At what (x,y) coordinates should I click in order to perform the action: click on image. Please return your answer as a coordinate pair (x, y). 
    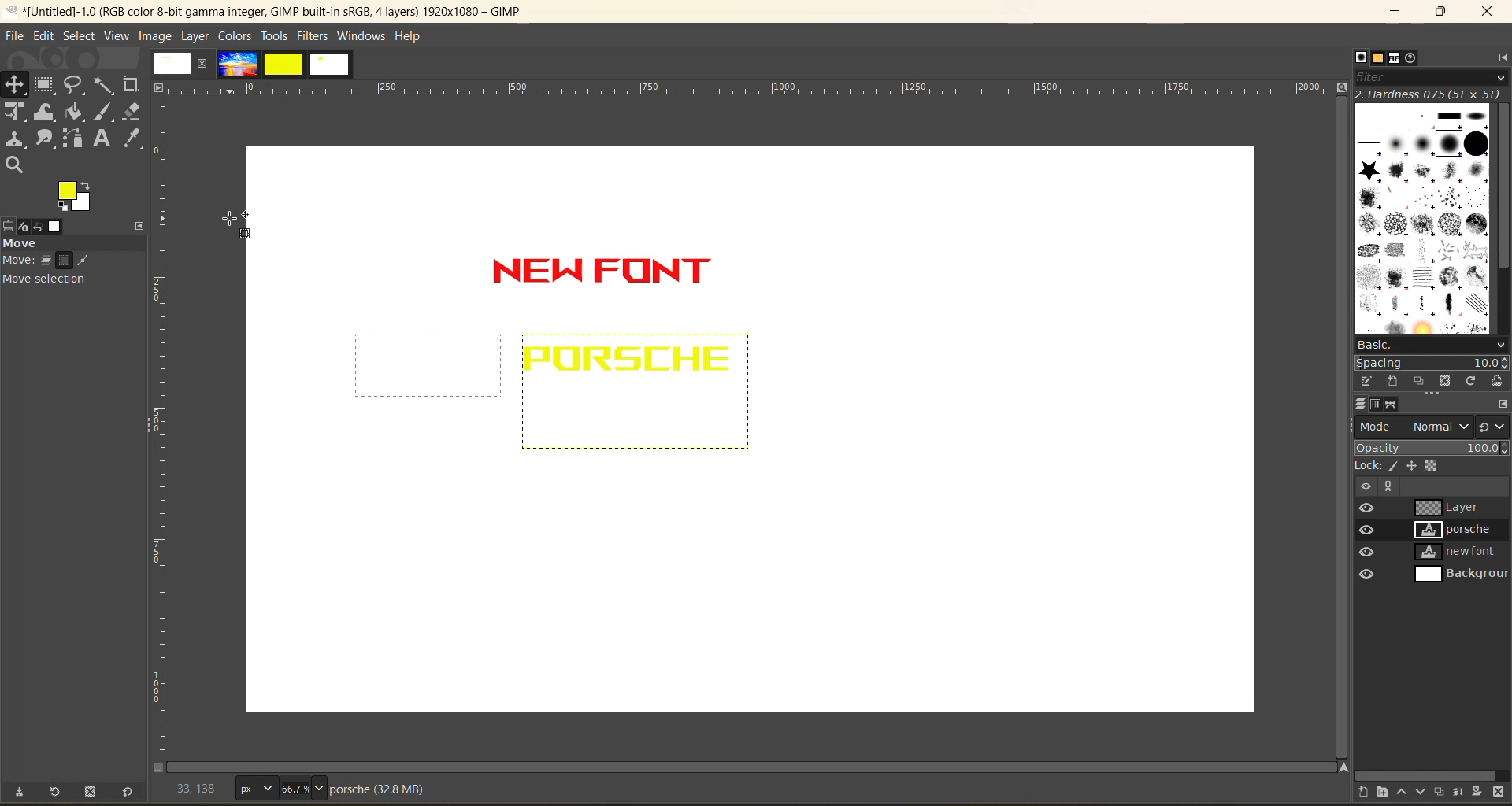
    Looking at the image, I should click on (155, 37).